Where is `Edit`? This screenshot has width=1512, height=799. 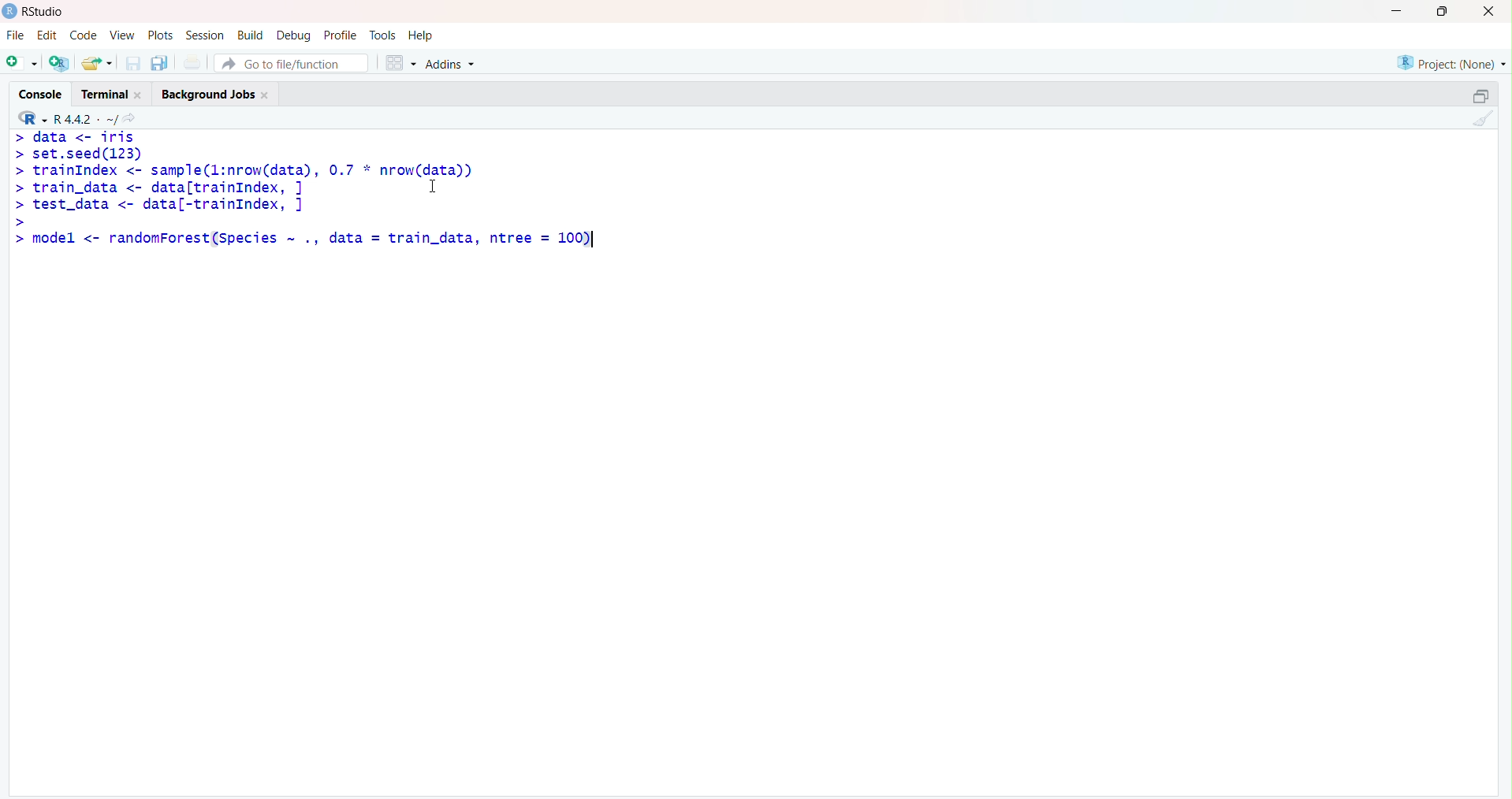 Edit is located at coordinates (47, 33).